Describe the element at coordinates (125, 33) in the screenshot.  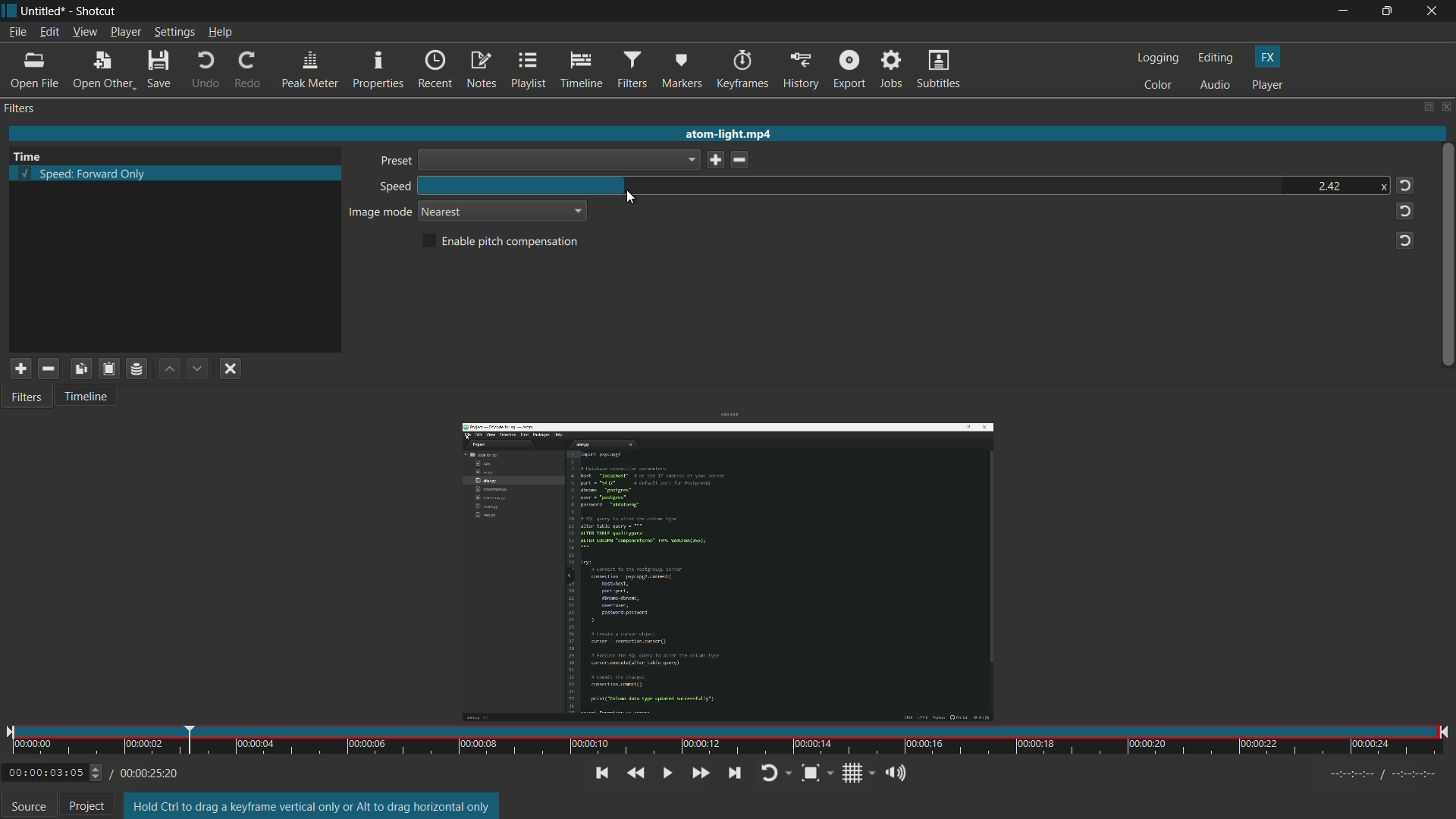
I see `player menu` at that location.